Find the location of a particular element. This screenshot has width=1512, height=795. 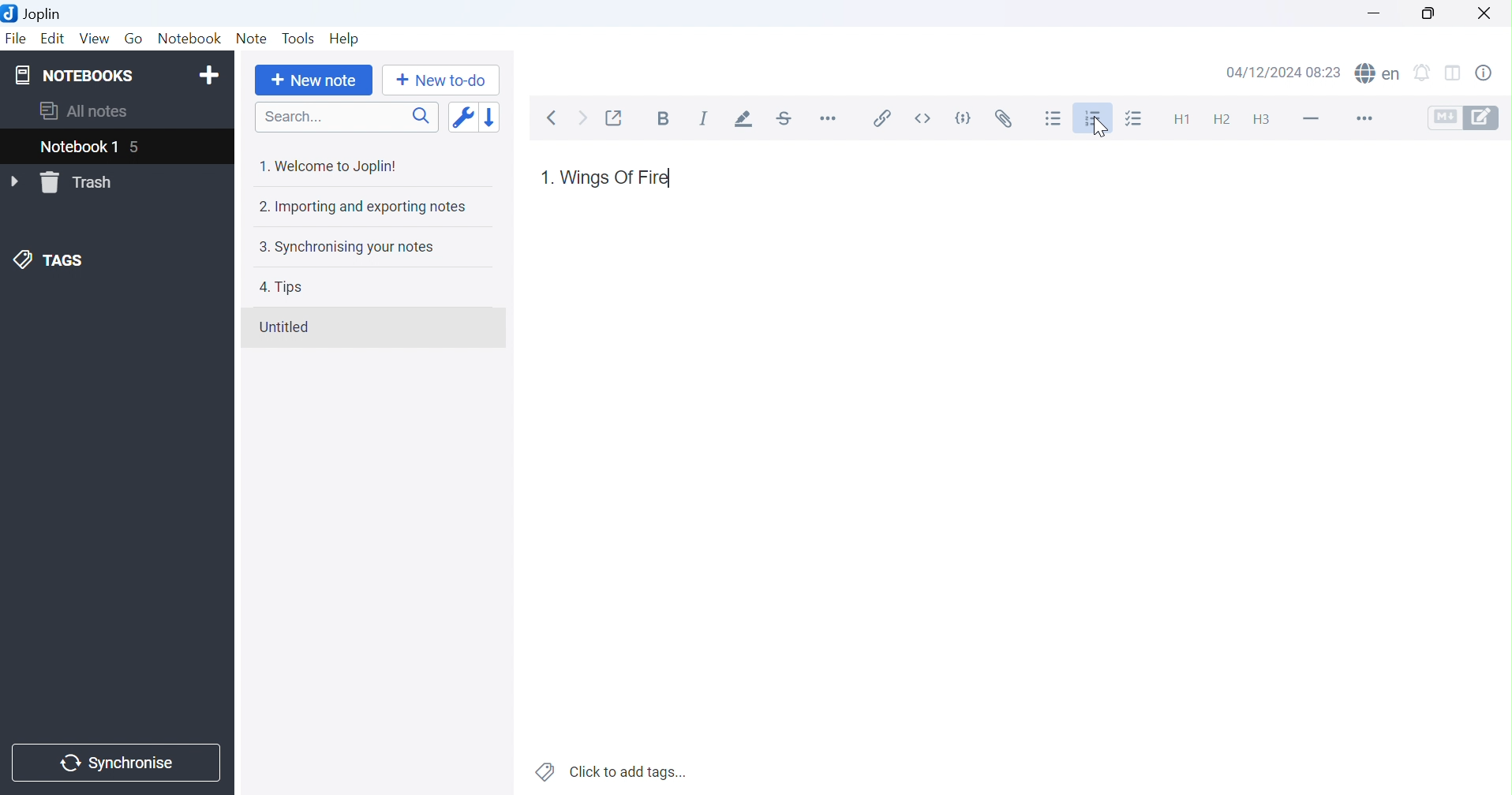

Heading 3 is located at coordinates (1267, 120).